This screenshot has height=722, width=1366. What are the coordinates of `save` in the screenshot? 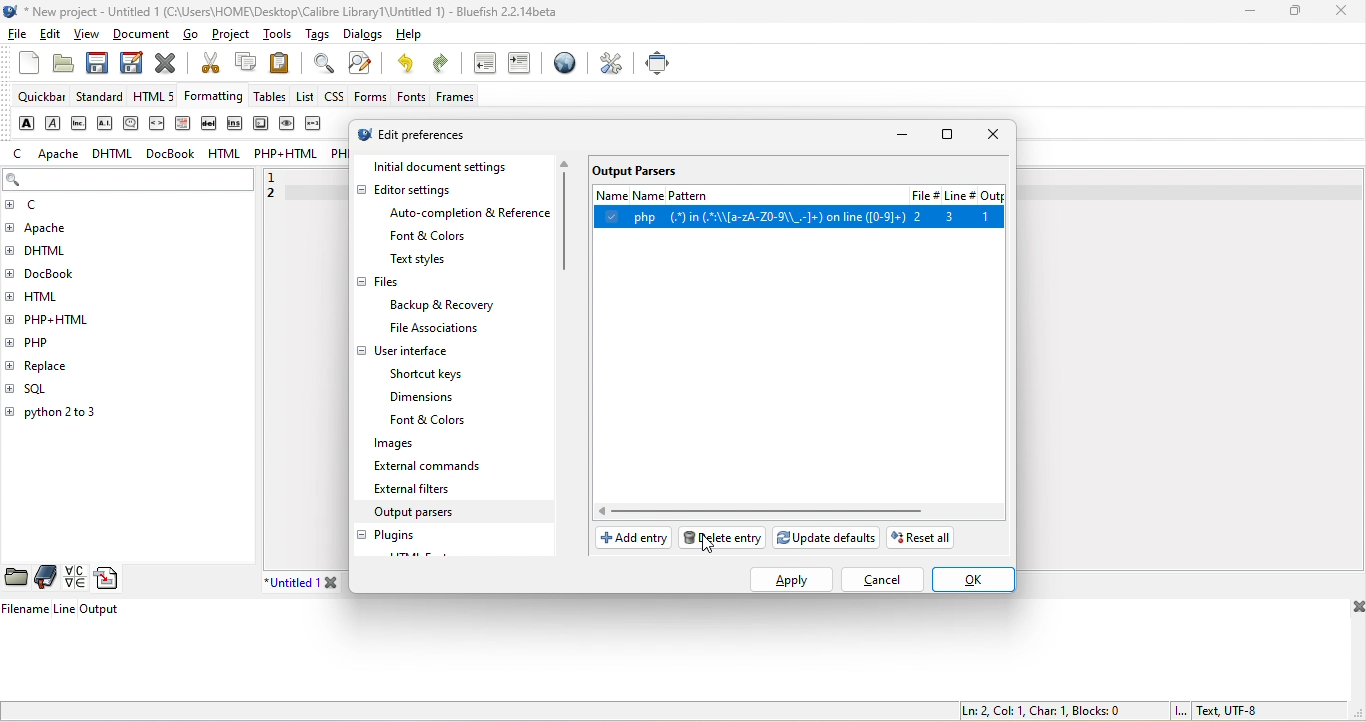 It's located at (97, 63).